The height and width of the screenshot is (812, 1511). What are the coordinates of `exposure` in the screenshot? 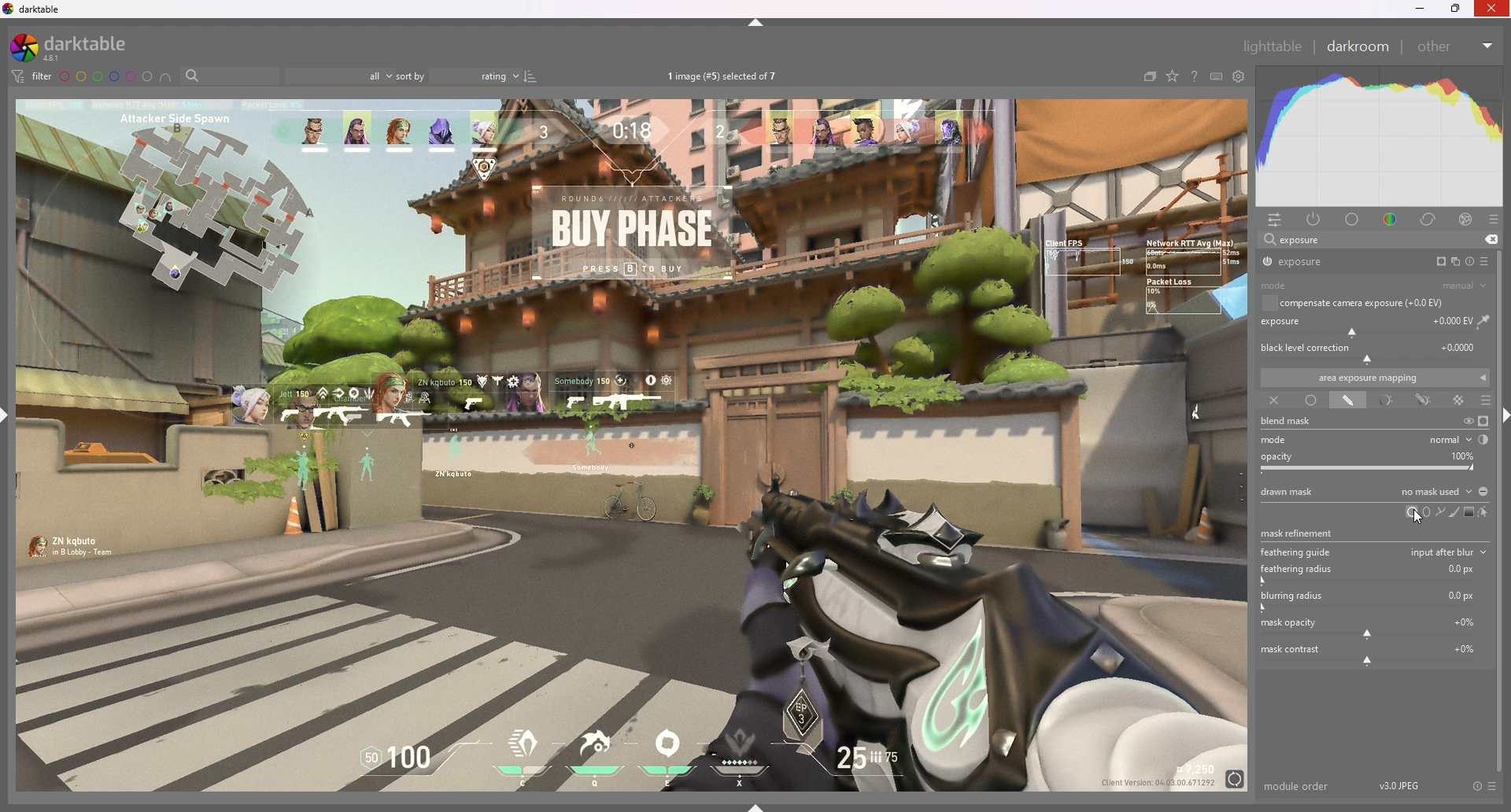 It's located at (1332, 261).